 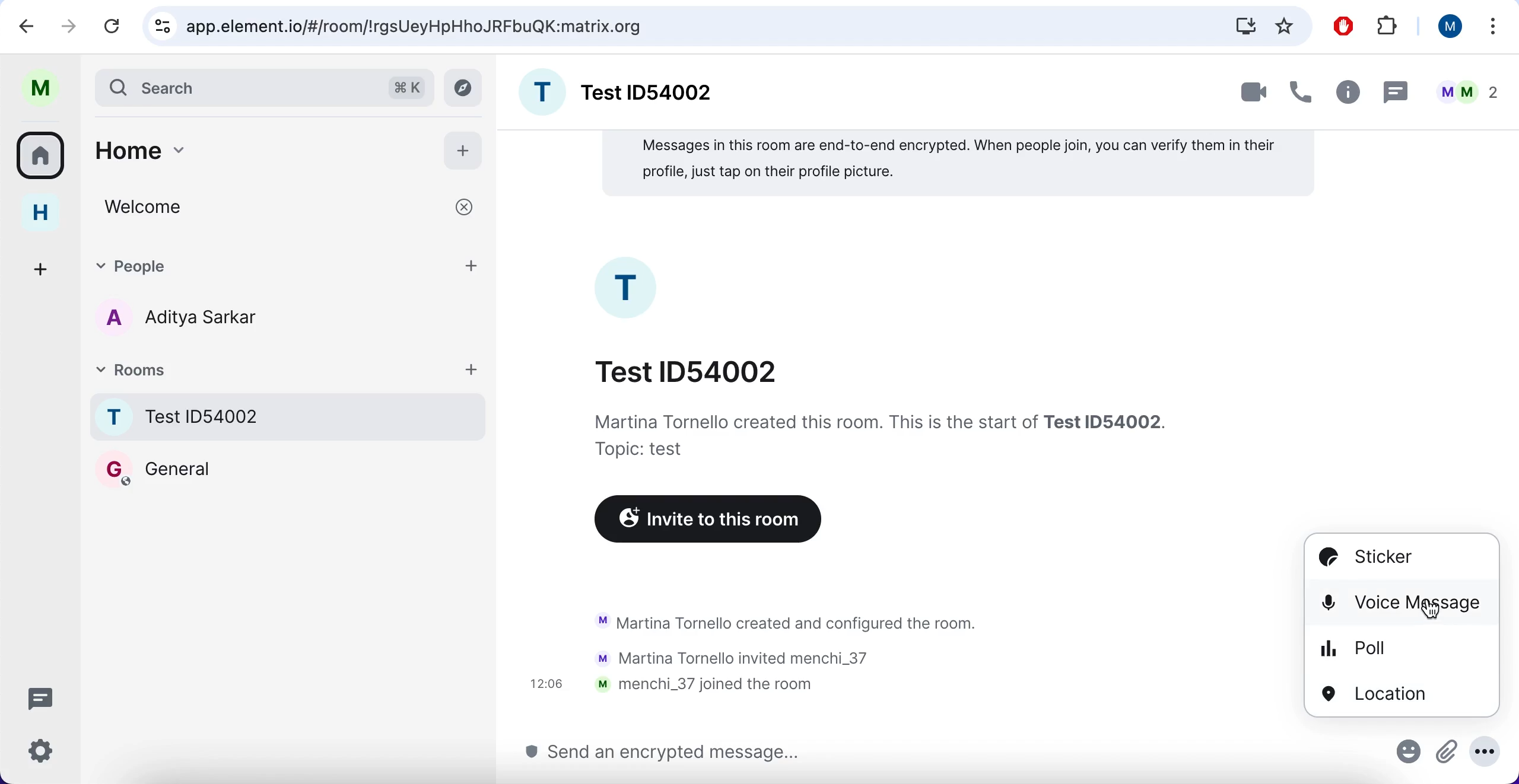 I want to click on search, so click(x=234, y=87).